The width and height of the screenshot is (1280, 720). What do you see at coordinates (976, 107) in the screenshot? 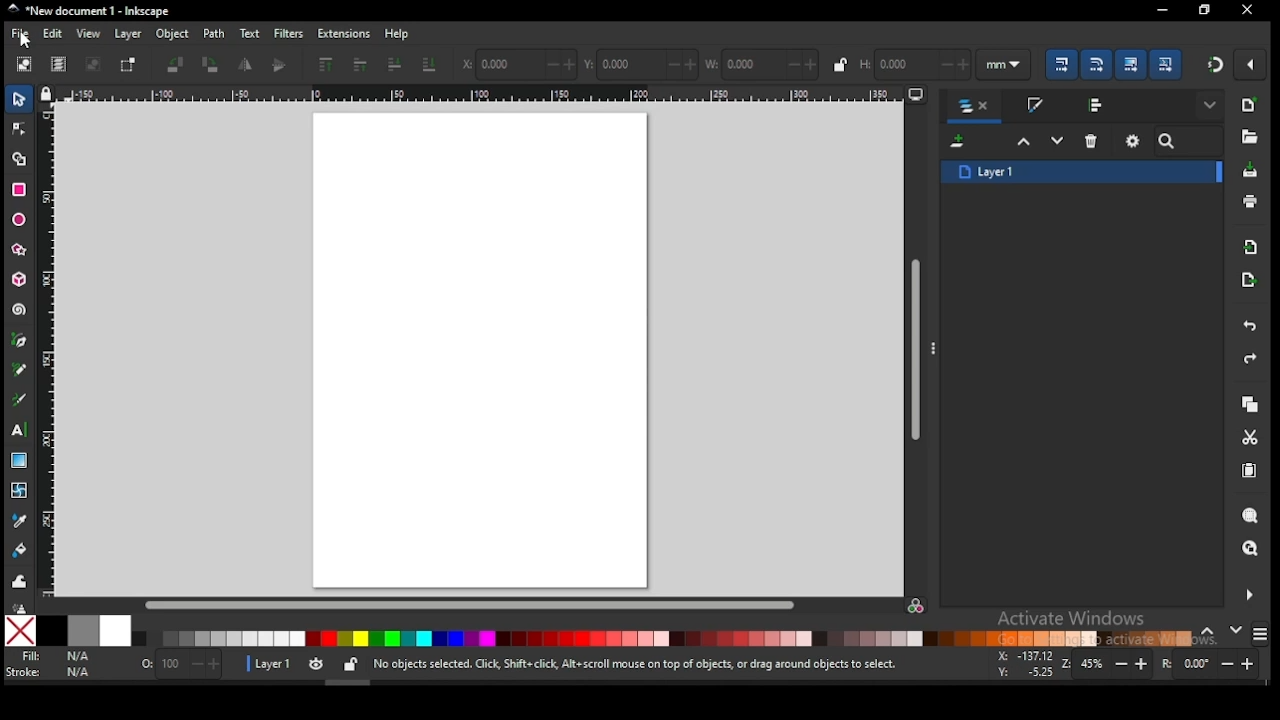
I see `layers and objects` at bounding box center [976, 107].